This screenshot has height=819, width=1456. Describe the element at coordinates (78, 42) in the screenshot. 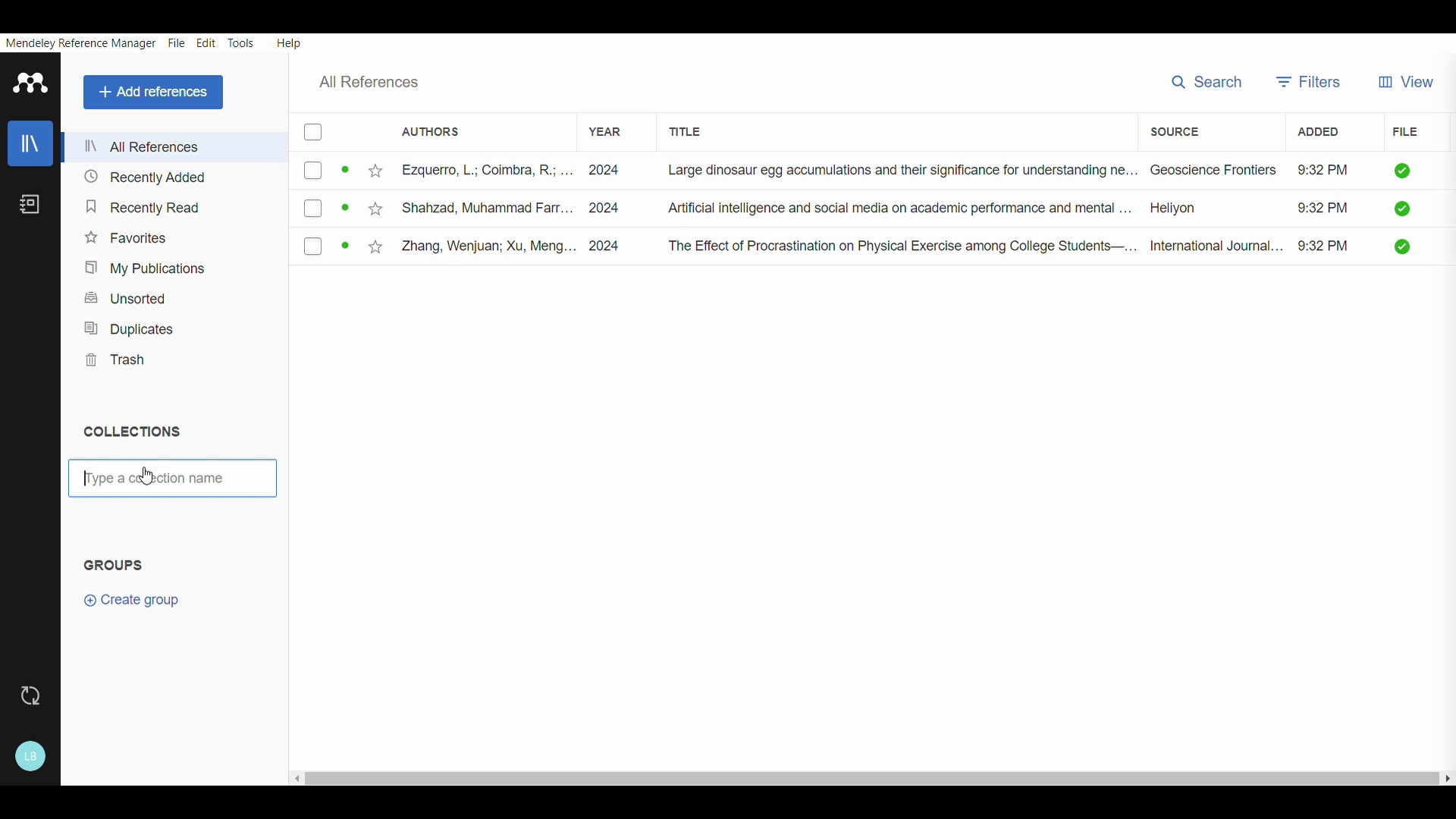

I see `Mendeley Reference Manager` at that location.